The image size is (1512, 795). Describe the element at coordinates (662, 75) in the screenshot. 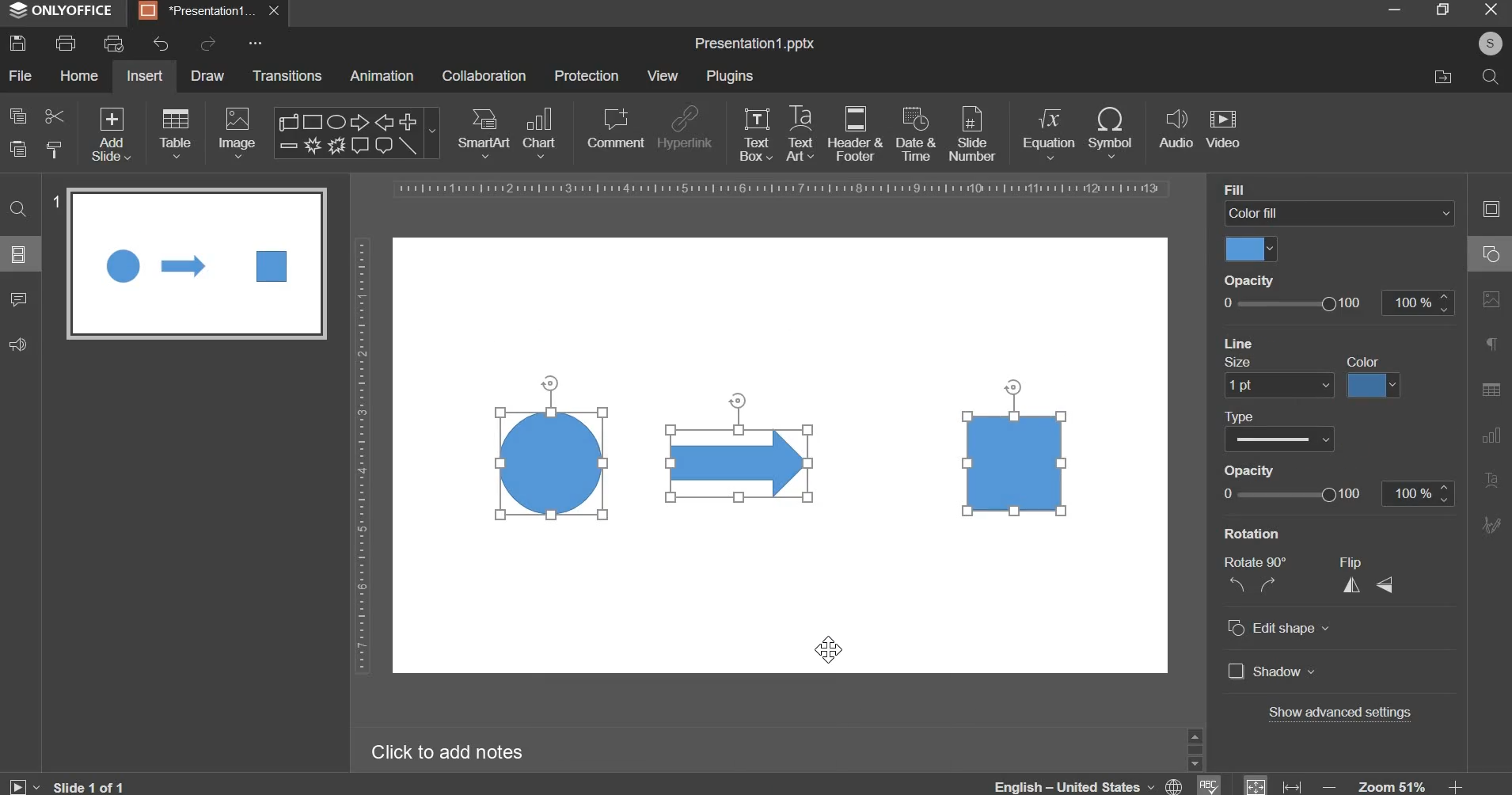

I see `view` at that location.